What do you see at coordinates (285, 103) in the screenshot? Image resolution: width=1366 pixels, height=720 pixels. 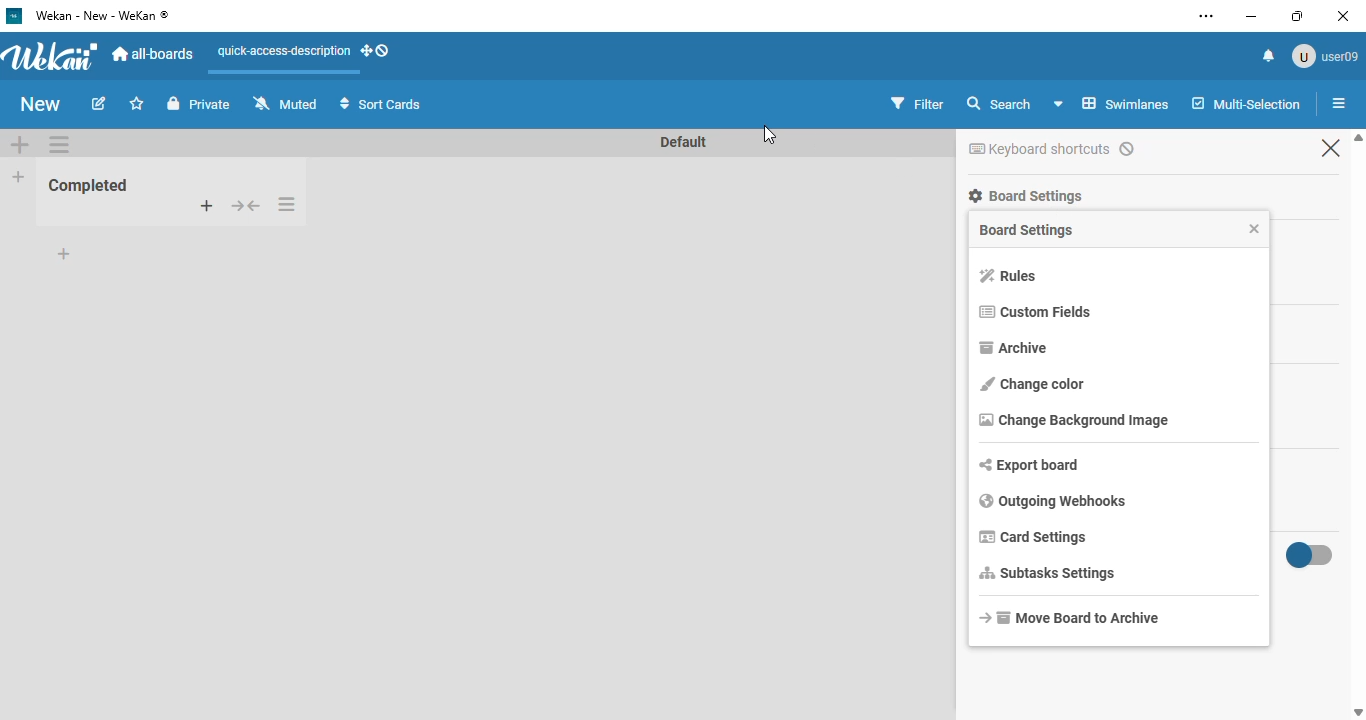 I see `muted` at bounding box center [285, 103].